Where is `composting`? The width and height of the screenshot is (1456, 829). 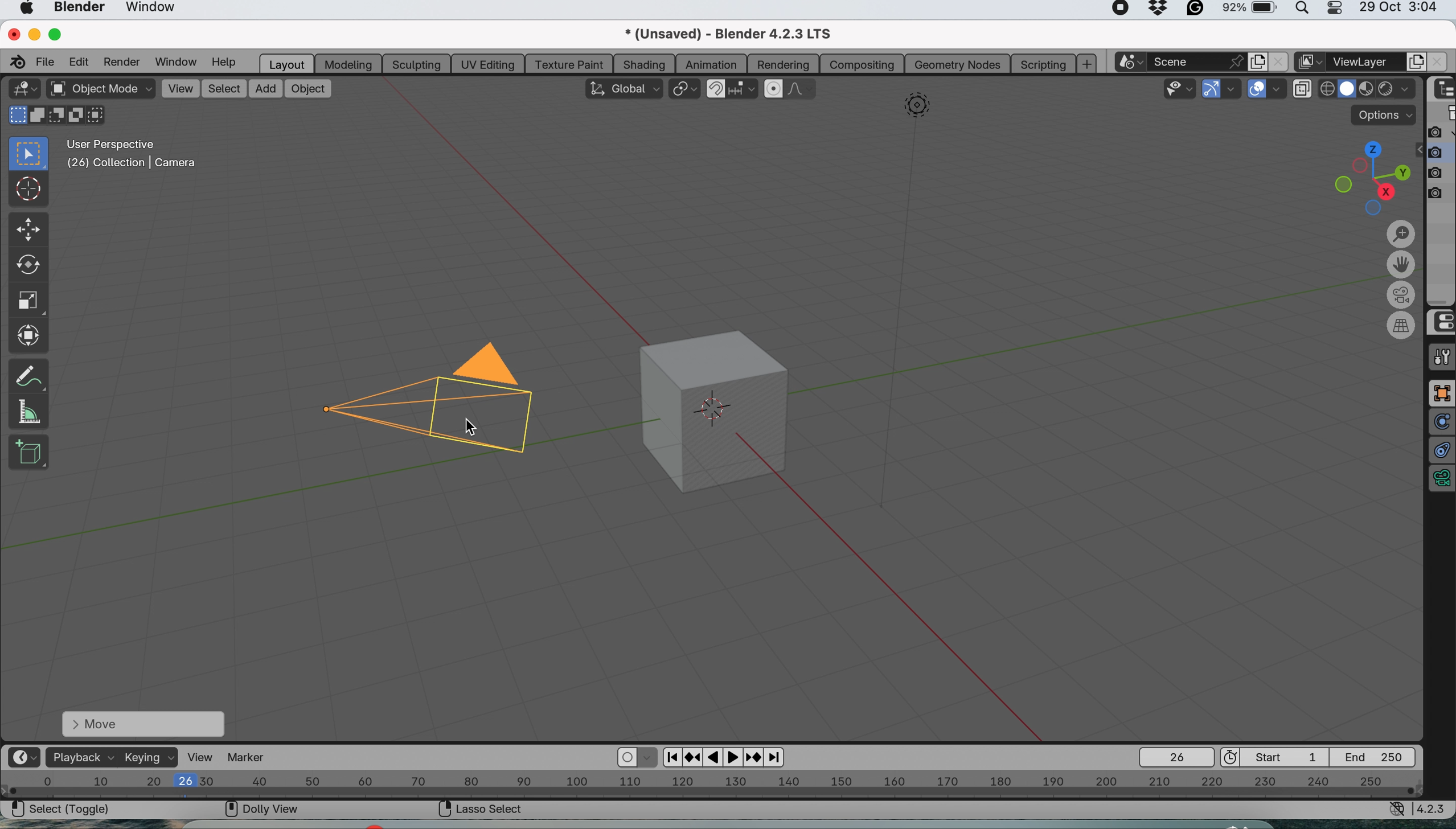 composting is located at coordinates (864, 64).